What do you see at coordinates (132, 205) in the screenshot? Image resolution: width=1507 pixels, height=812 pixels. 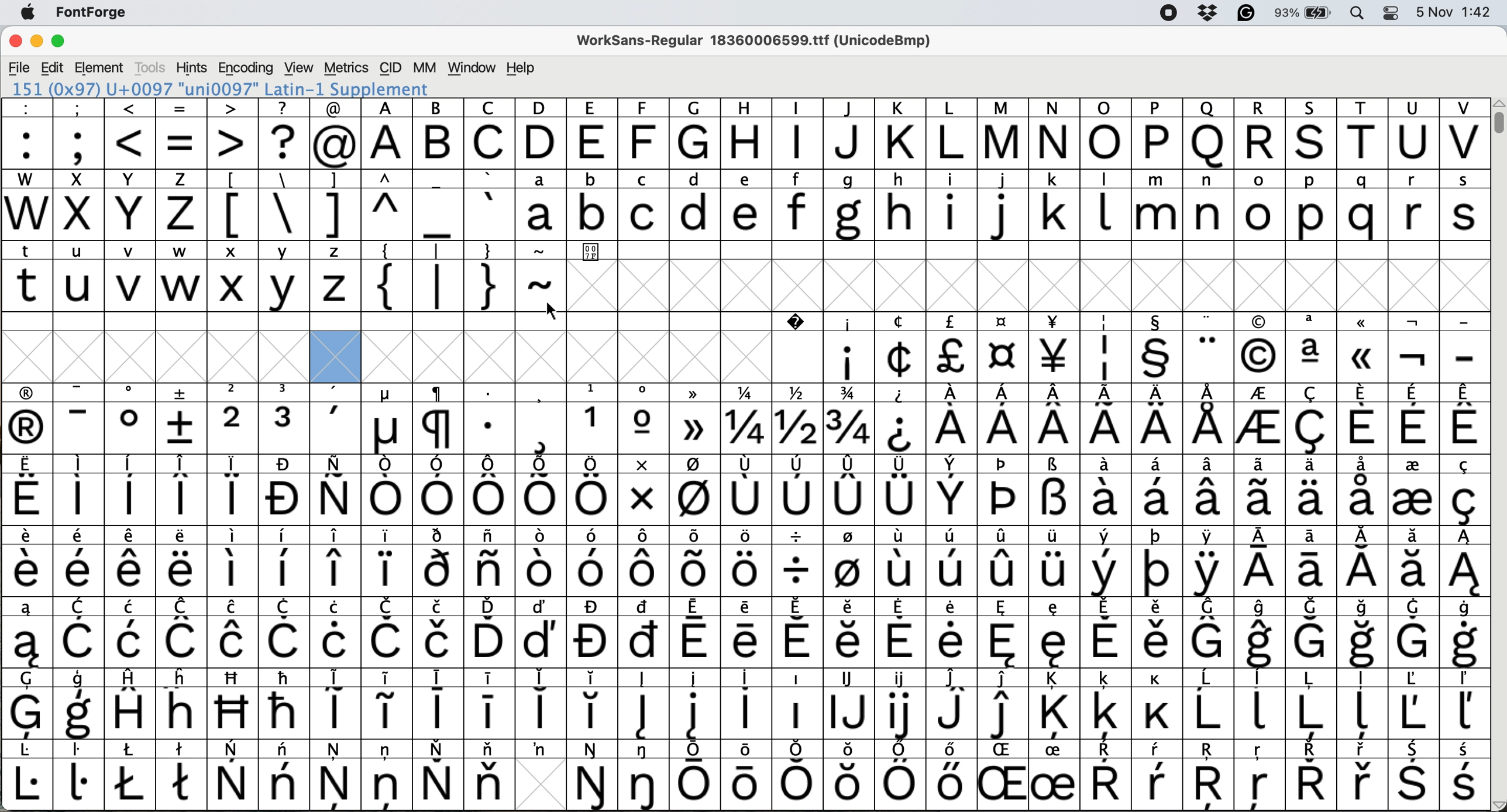 I see `Y` at bounding box center [132, 205].